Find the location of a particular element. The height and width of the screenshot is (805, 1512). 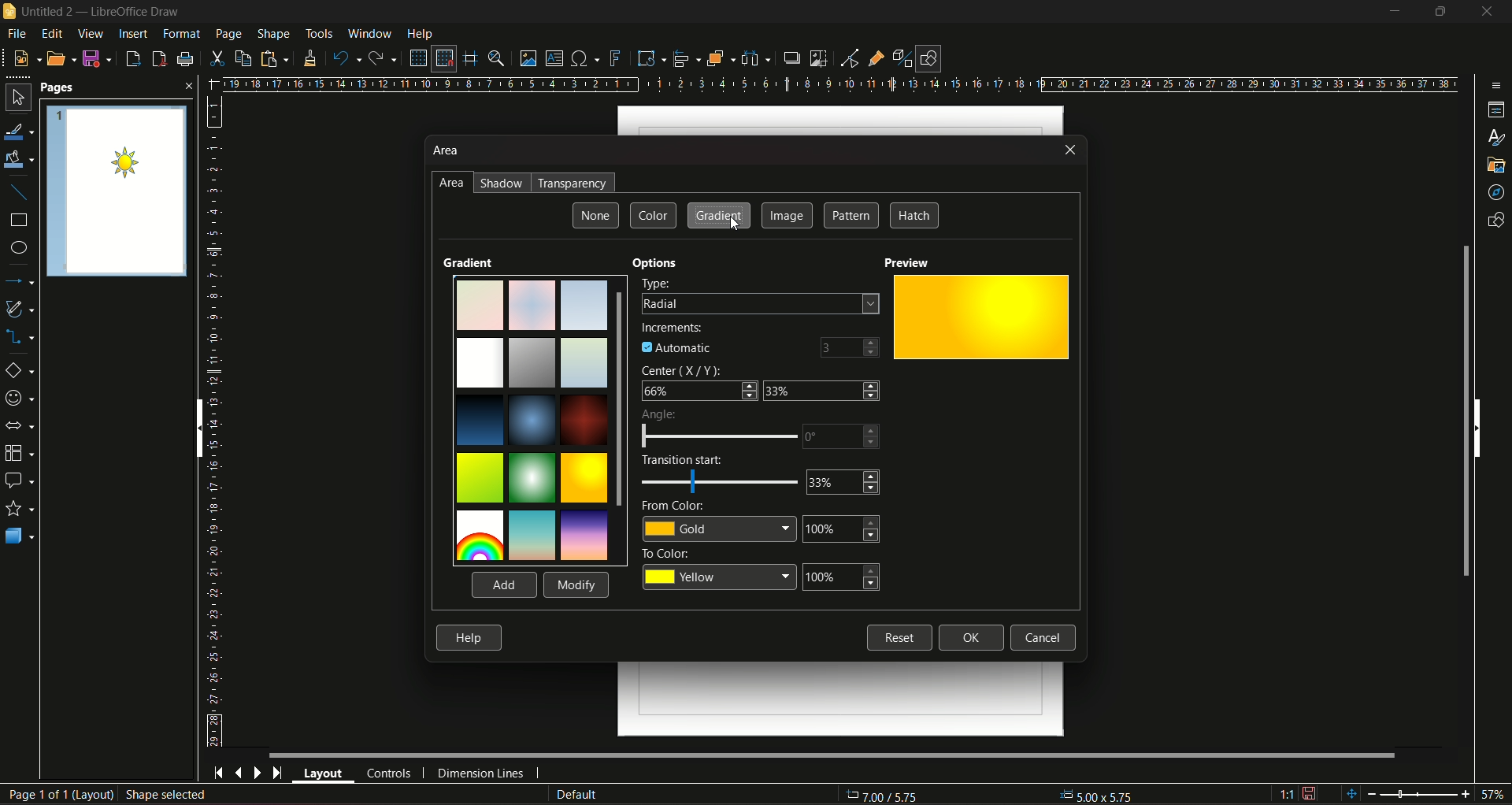

shades is located at coordinates (541, 420).